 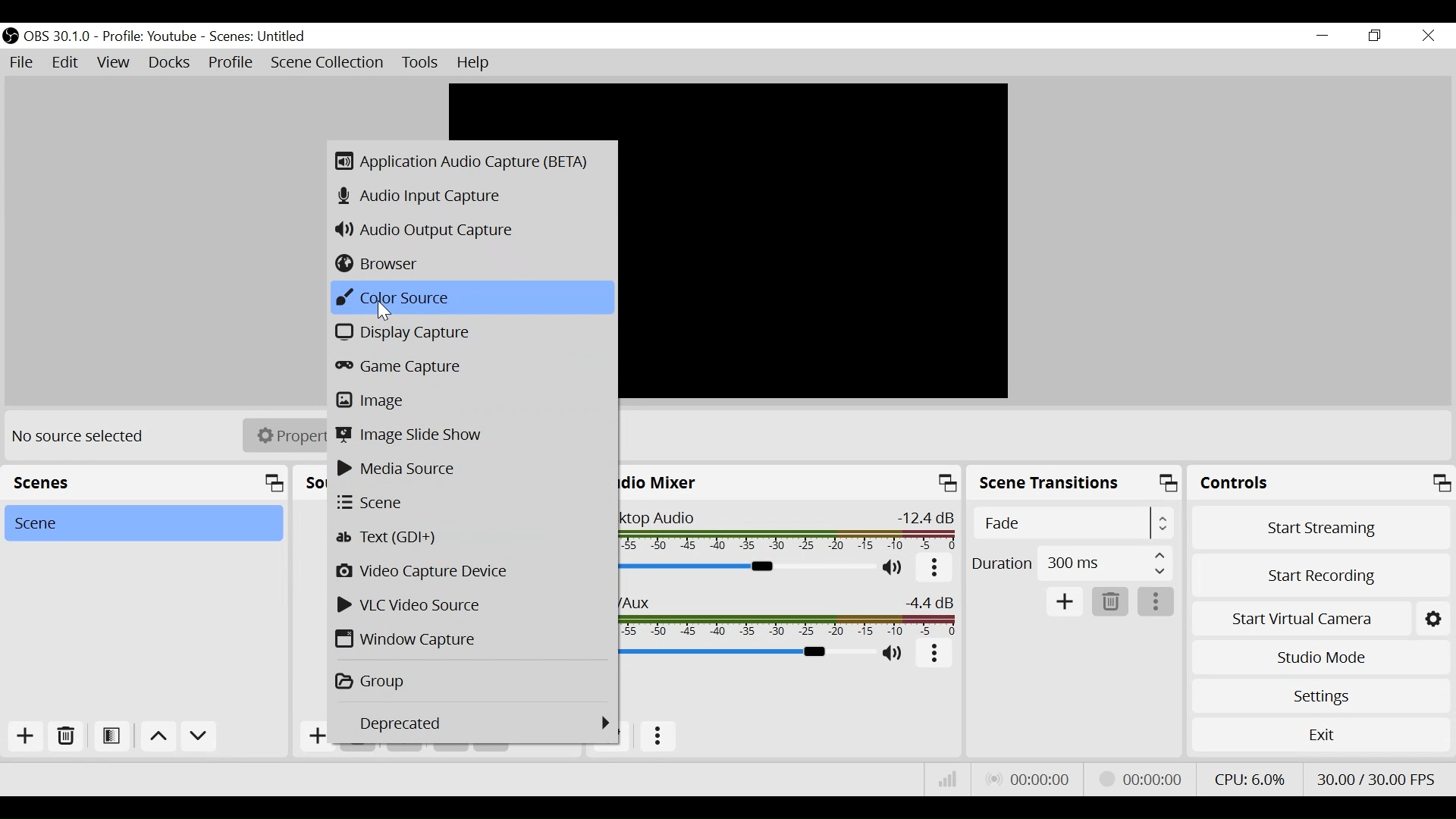 I want to click on Edit, so click(x=65, y=61).